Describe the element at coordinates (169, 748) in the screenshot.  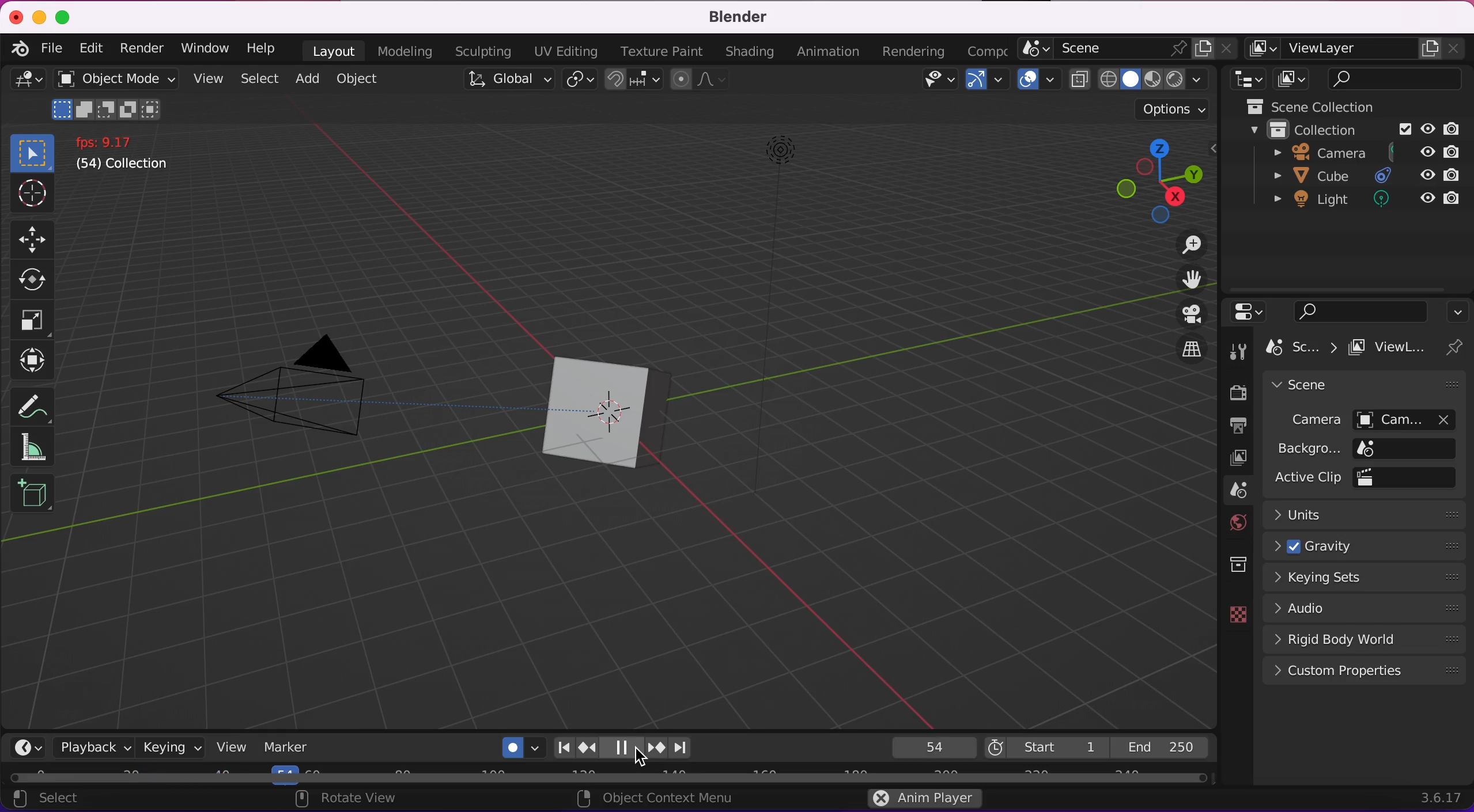
I see `keying` at that location.